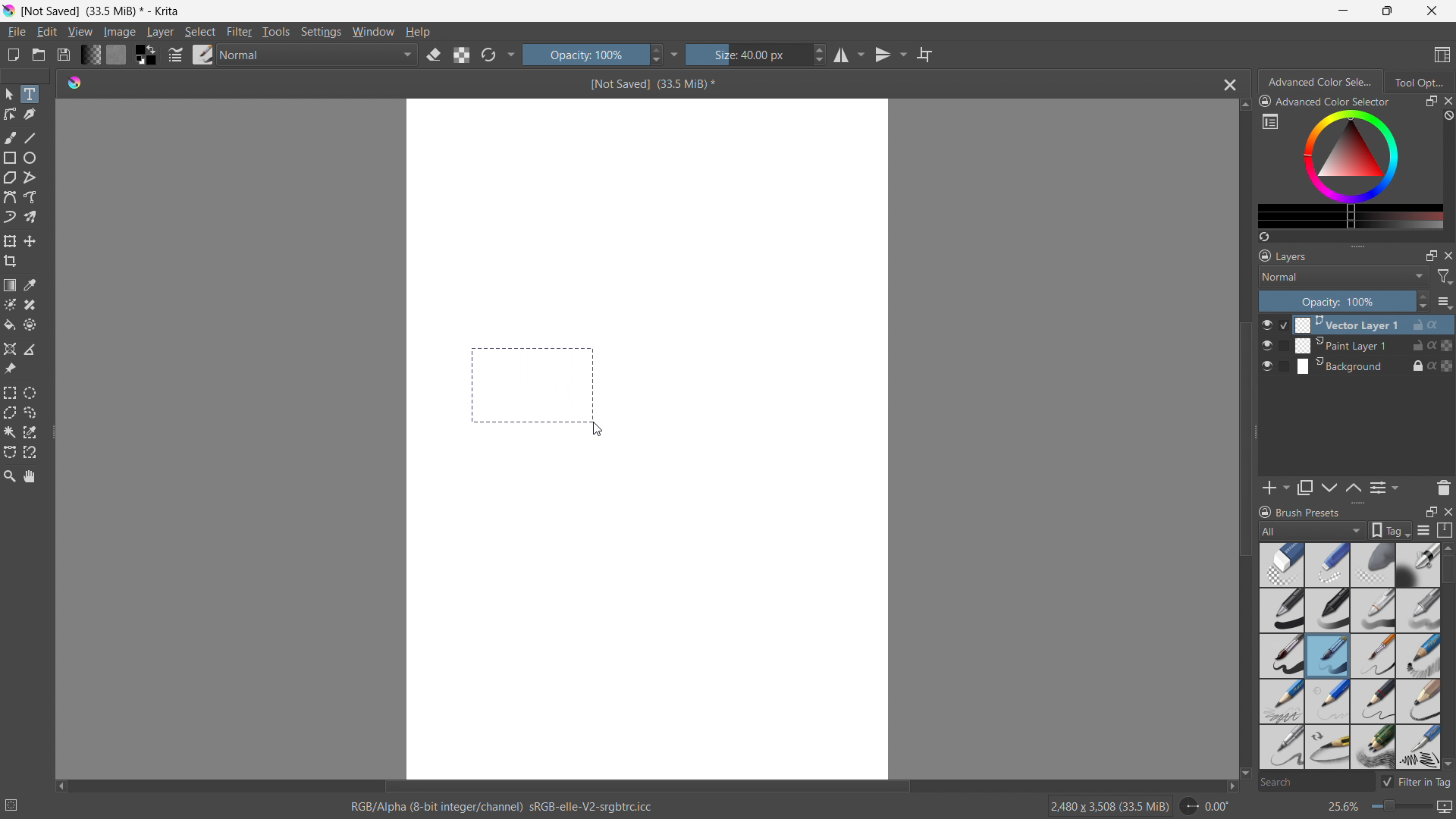  Describe the element at coordinates (1244, 105) in the screenshot. I see `scroll up` at that location.